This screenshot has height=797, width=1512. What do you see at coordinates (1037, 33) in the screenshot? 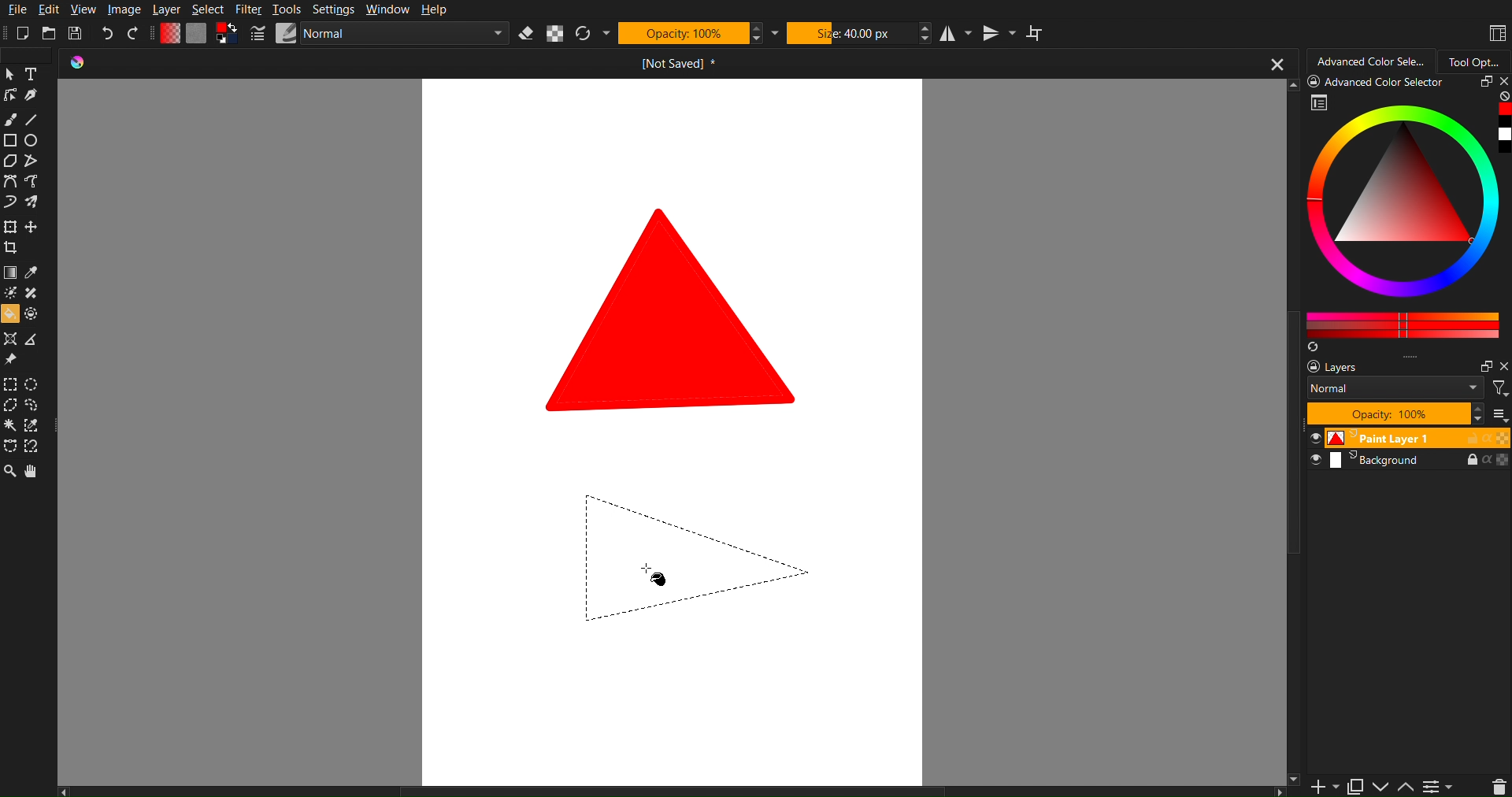
I see `Wraparound` at bounding box center [1037, 33].